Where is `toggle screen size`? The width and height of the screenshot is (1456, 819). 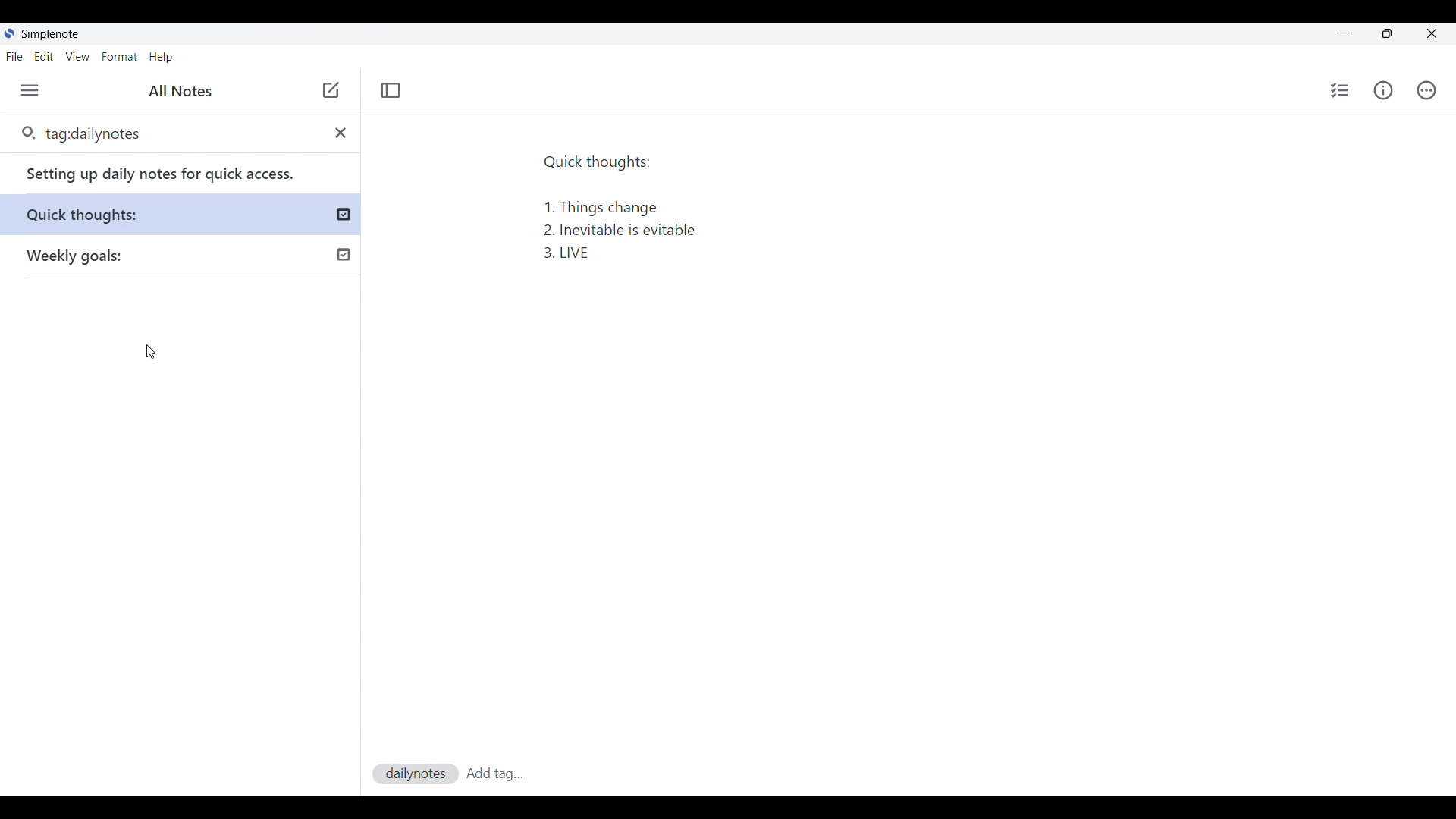
toggle screen size is located at coordinates (1387, 33).